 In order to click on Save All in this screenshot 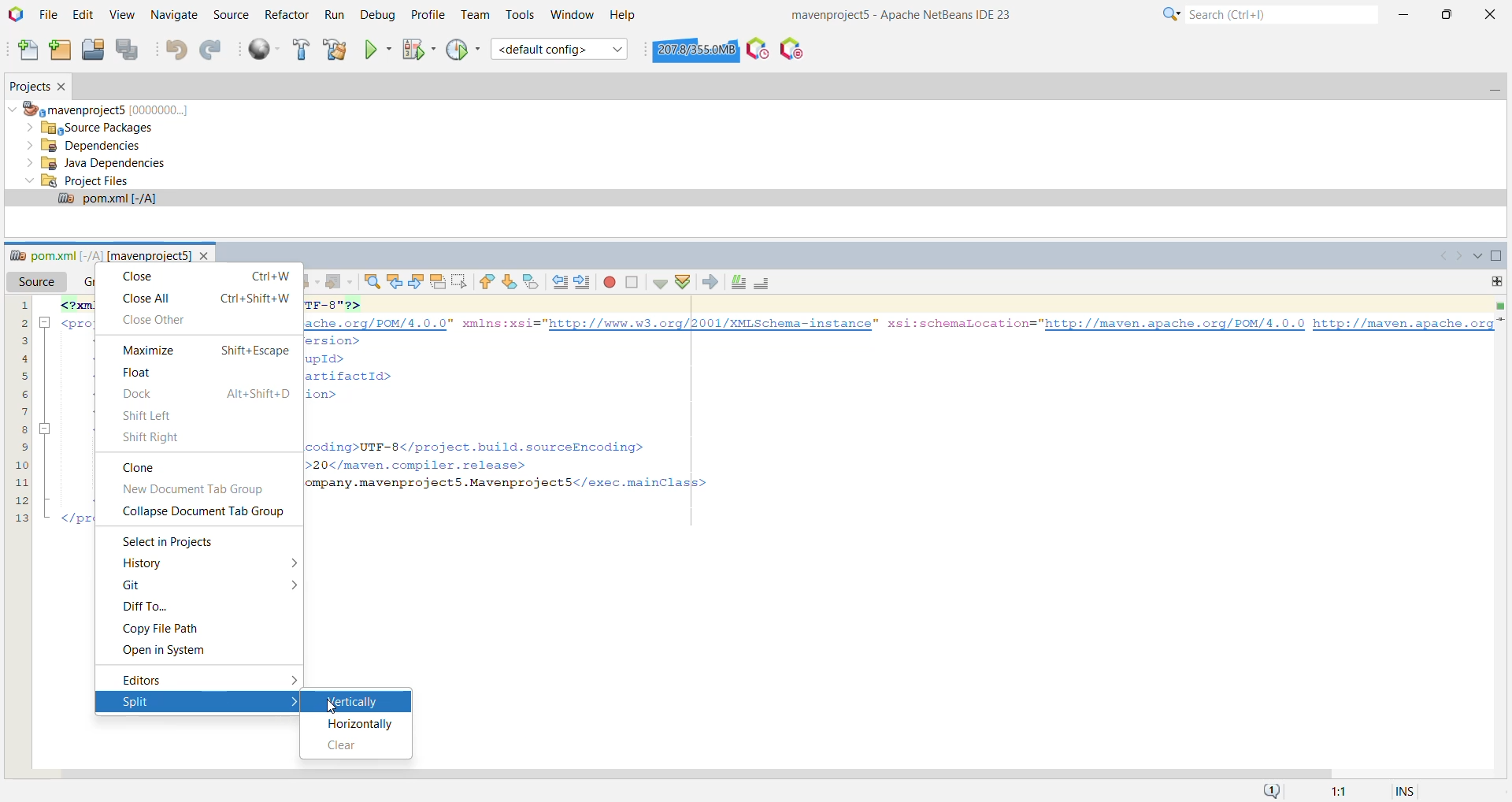, I will do `click(130, 50)`.